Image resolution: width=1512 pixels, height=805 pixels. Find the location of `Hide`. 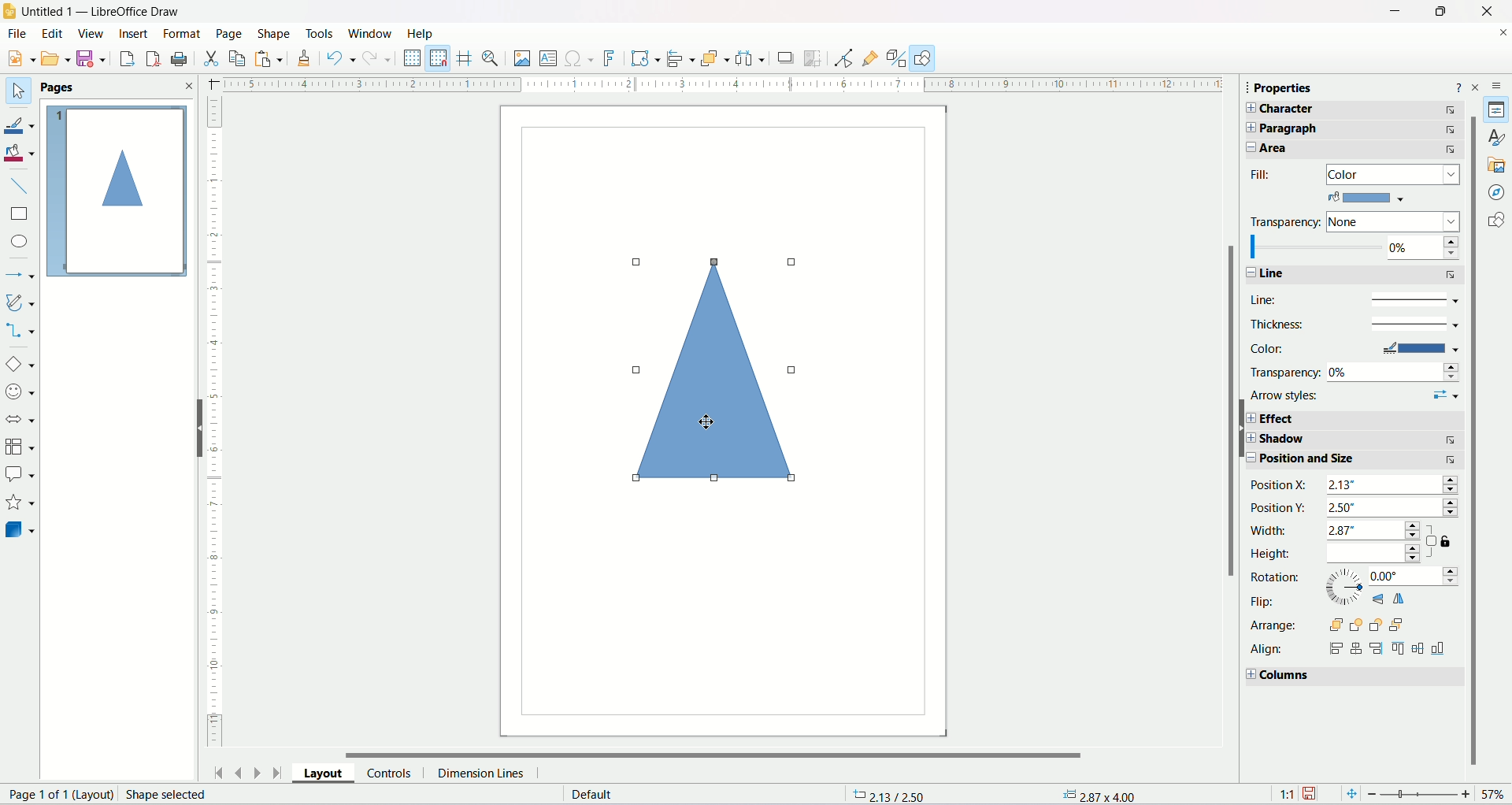

Hide is located at coordinates (1246, 428).